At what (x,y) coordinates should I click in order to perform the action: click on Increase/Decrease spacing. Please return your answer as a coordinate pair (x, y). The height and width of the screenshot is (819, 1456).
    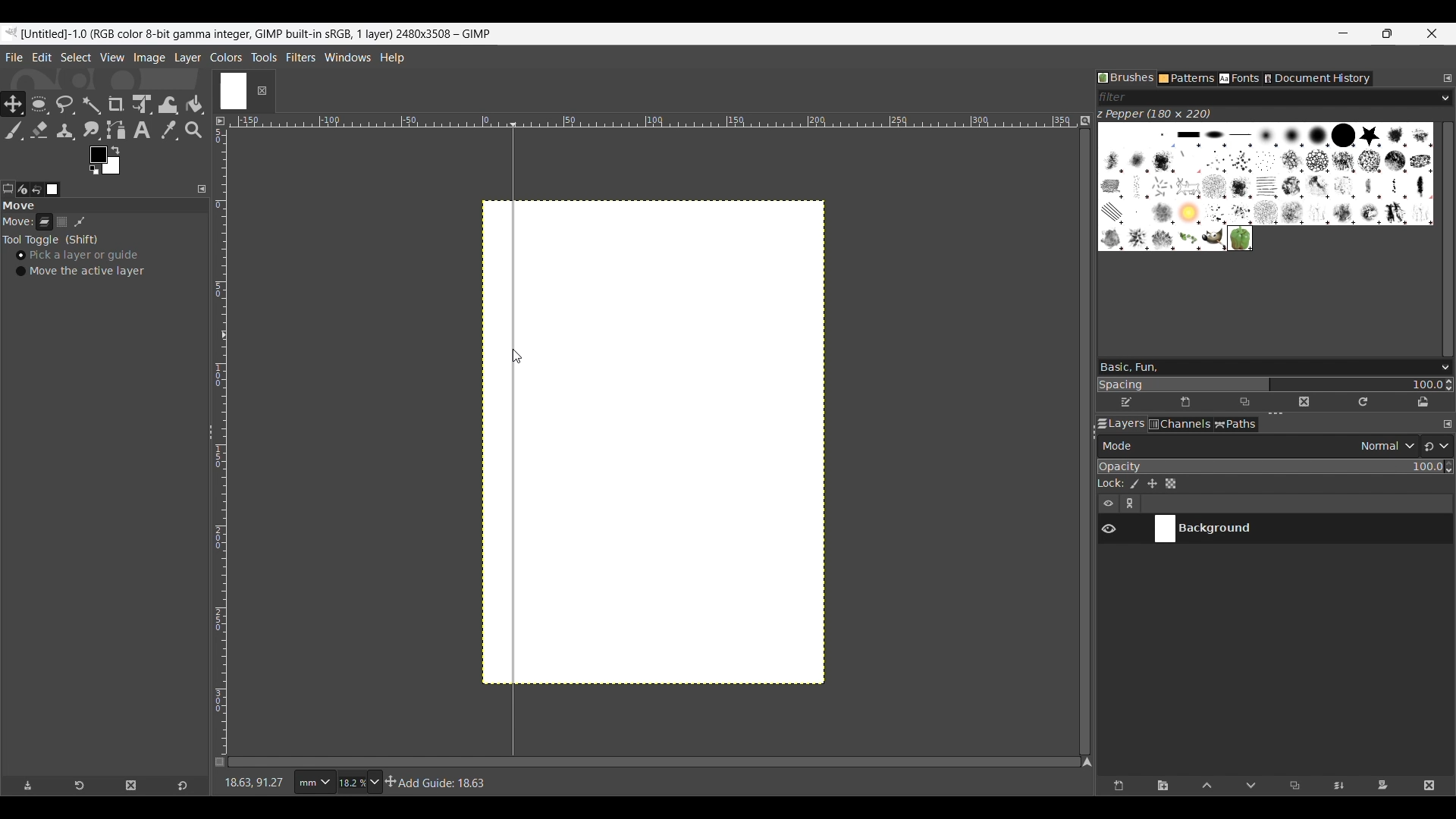
    Looking at the image, I should click on (1449, 385).